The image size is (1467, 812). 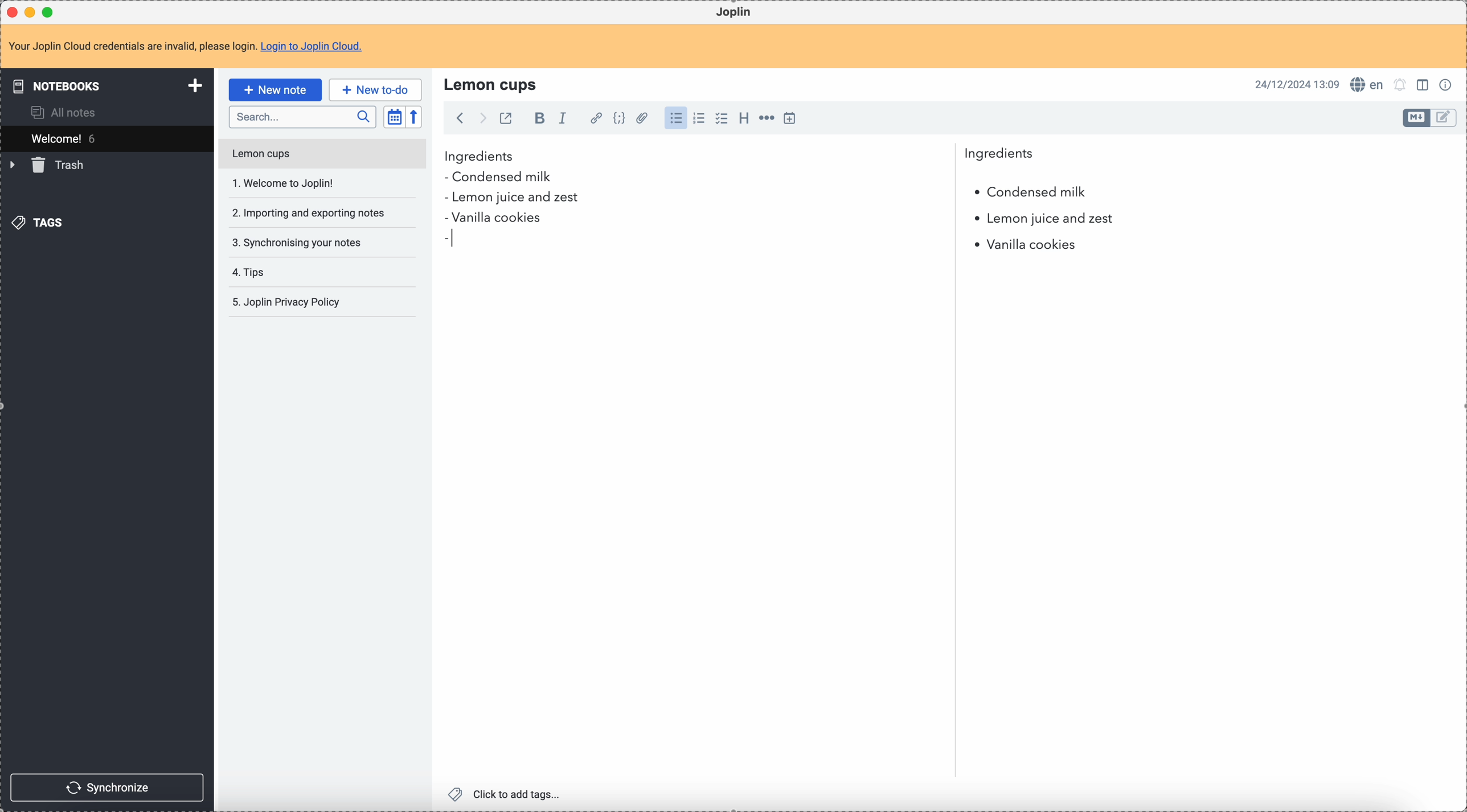 I want to click on tips, so click(x=251, y=273).